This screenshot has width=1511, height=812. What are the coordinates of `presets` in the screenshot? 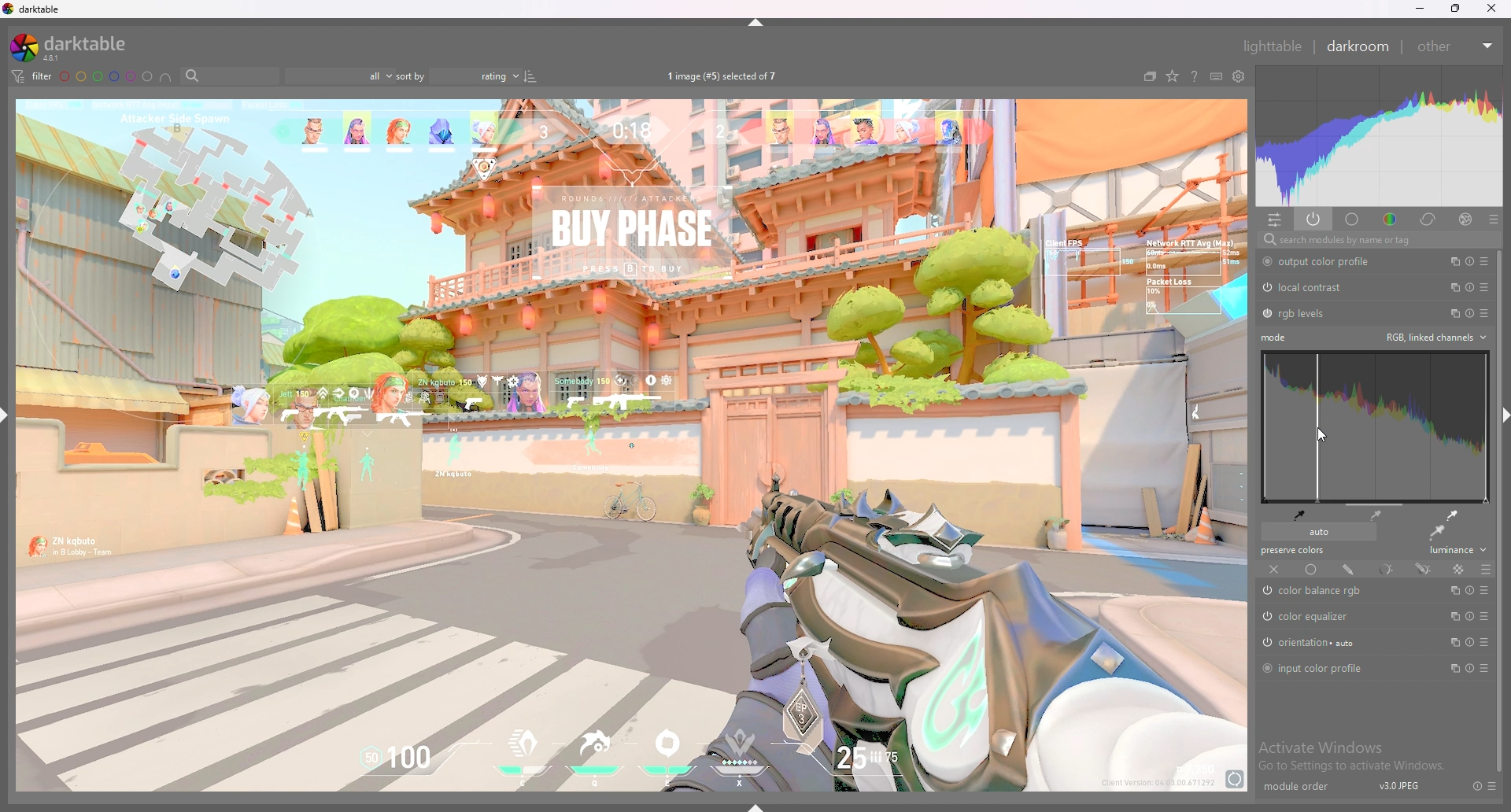 It's located at (1484, 261).